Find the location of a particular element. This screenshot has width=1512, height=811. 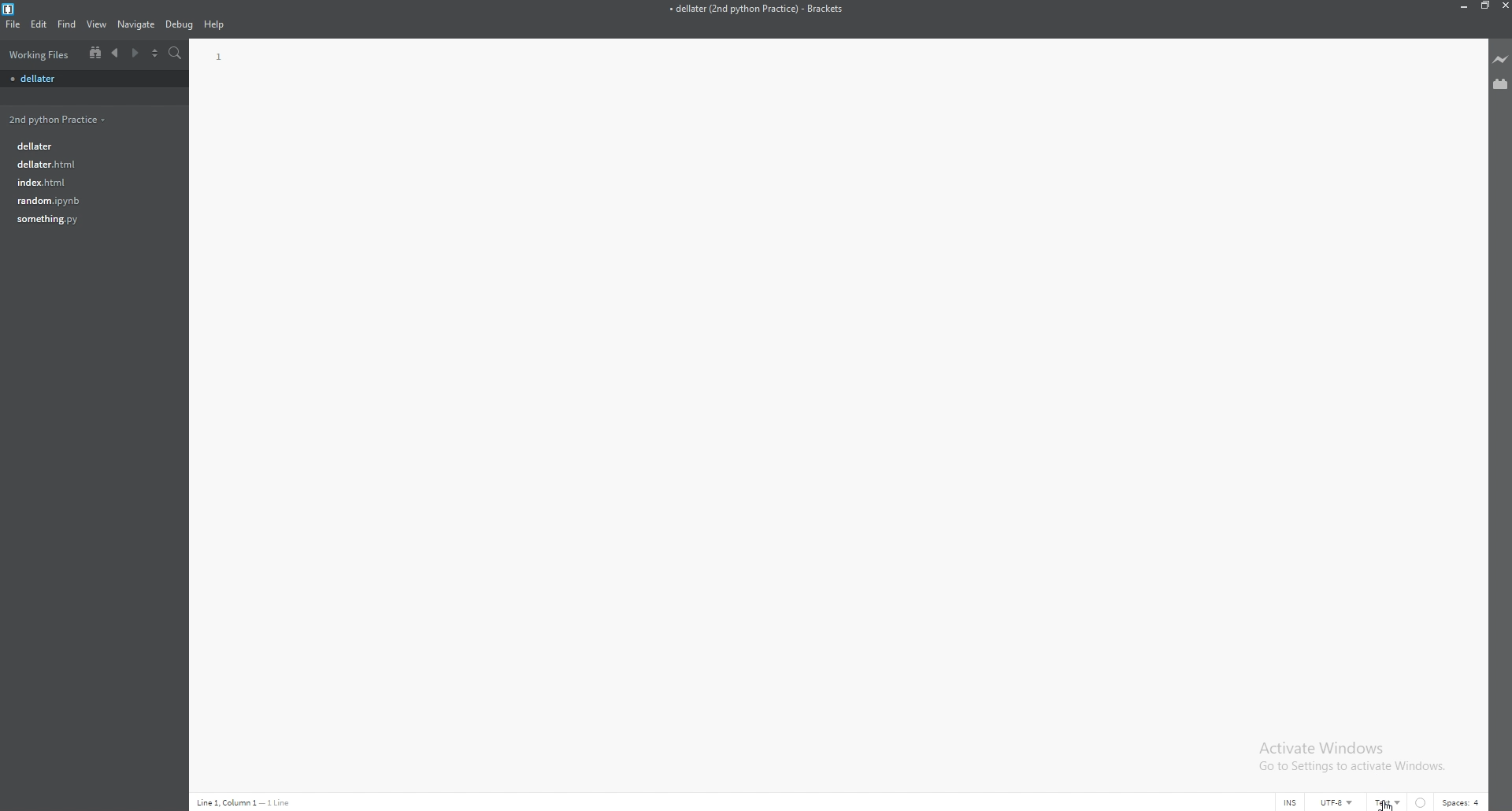

previous is located at coordinates (115, 53).